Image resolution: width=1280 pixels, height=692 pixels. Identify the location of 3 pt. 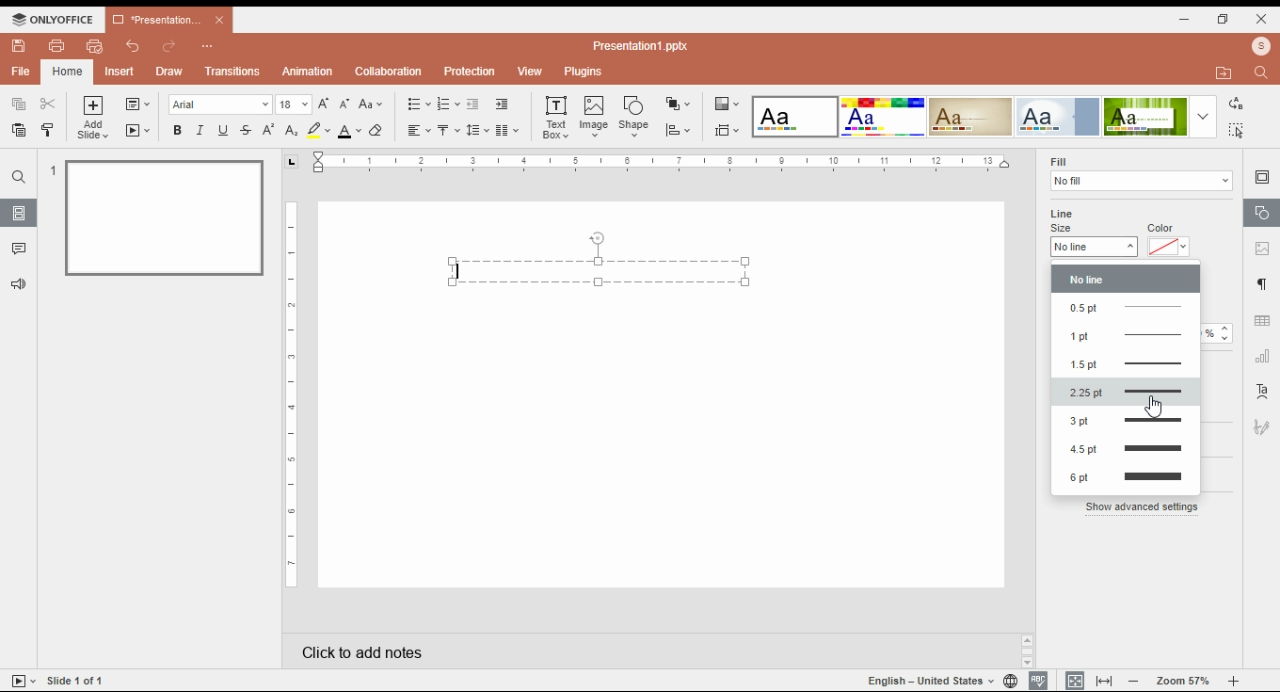
(1125, 424).